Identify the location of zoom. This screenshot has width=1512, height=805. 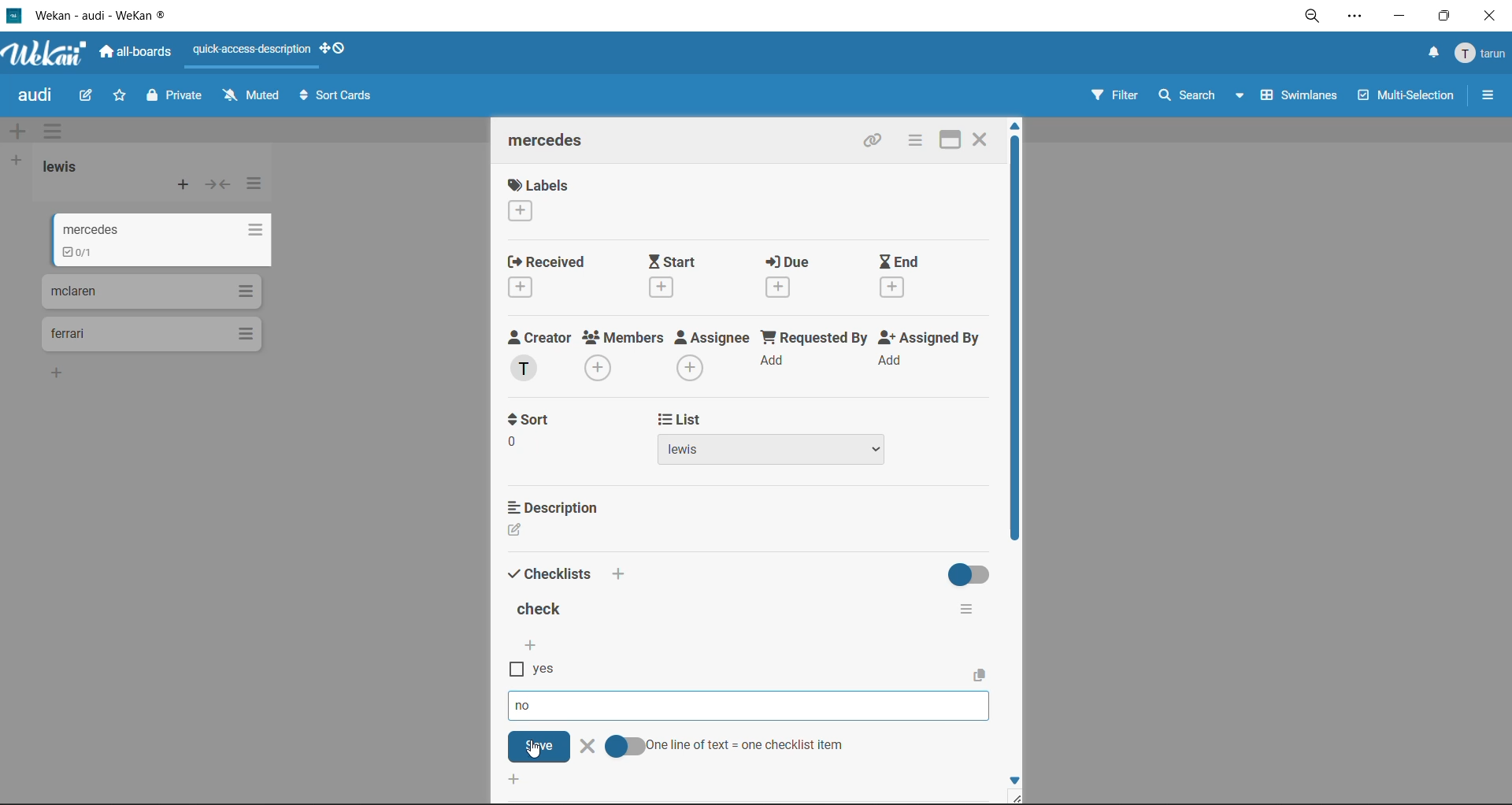
(1317, 20).